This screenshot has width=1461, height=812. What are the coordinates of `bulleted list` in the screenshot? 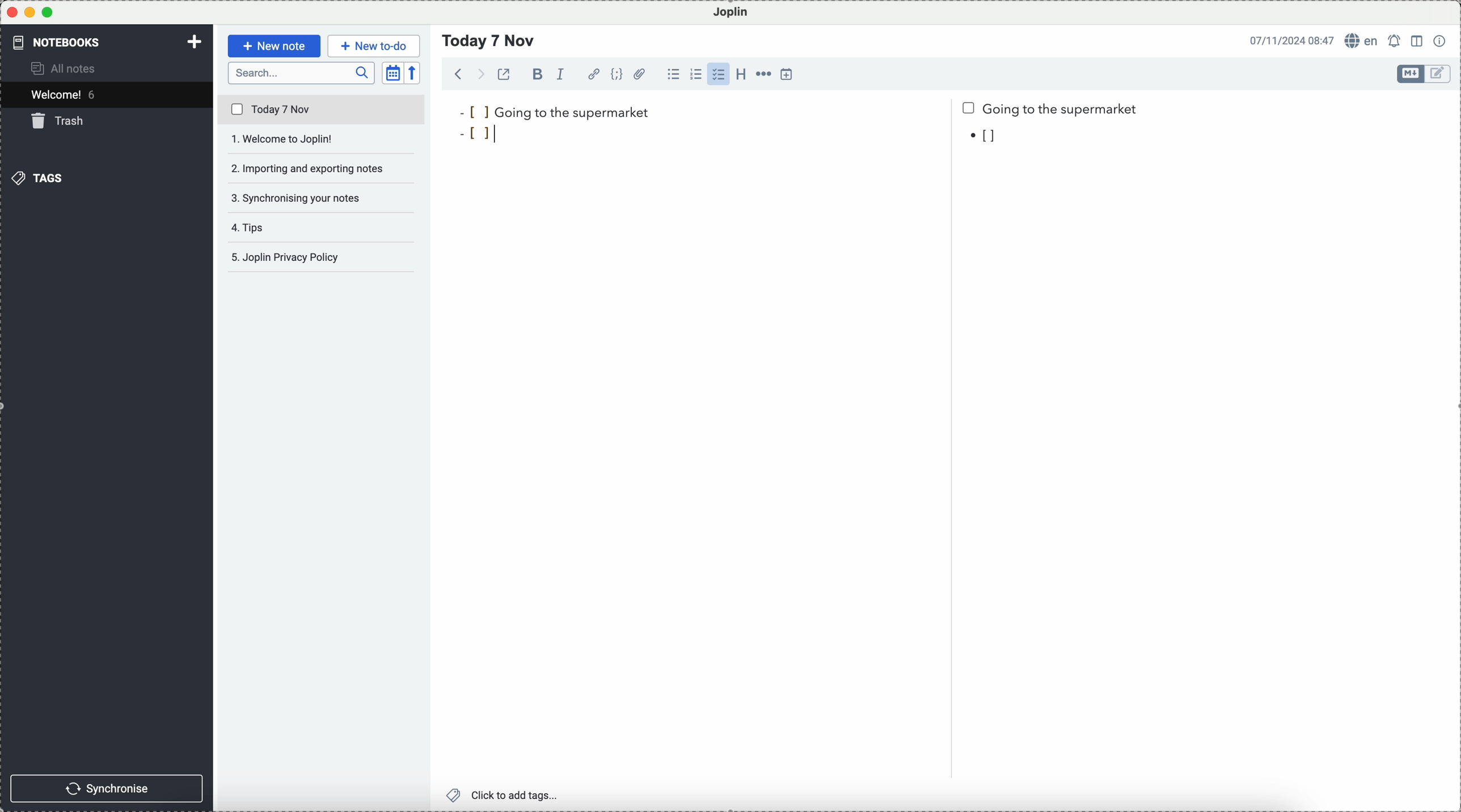 It's located at (673, 74).